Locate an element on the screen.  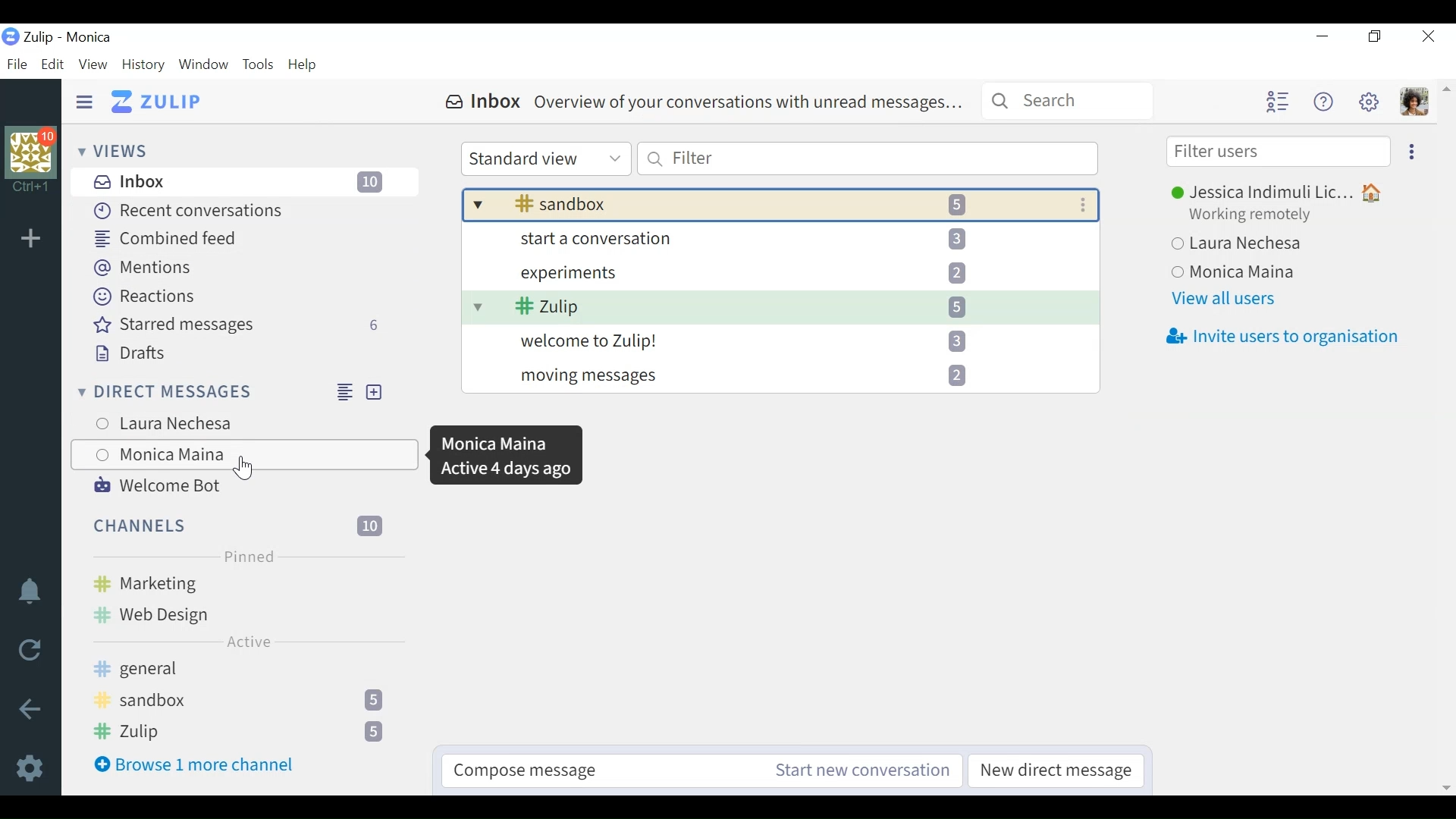
Window is located at coordinates (204, 65).